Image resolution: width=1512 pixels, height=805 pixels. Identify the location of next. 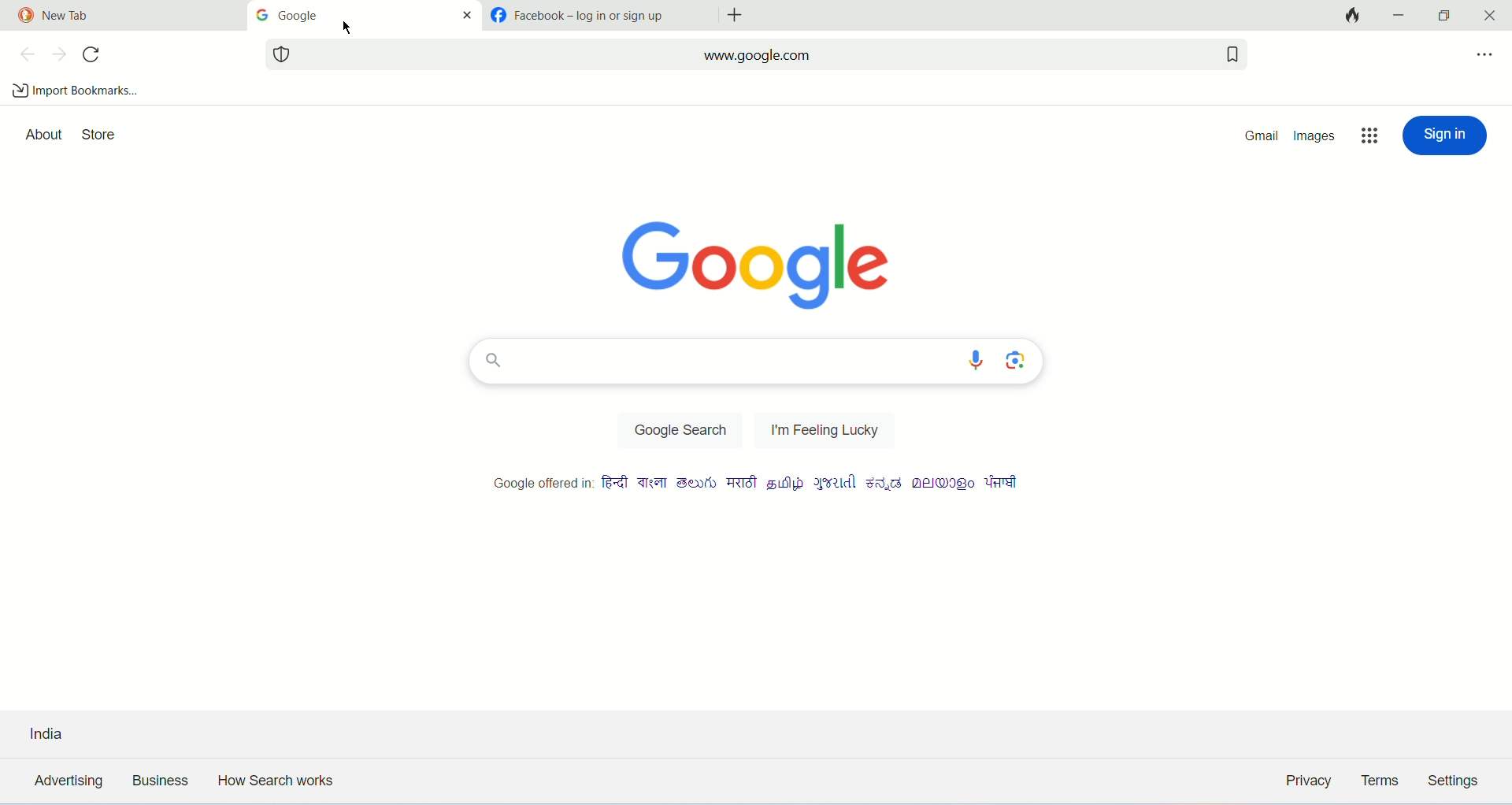
(59, 56).